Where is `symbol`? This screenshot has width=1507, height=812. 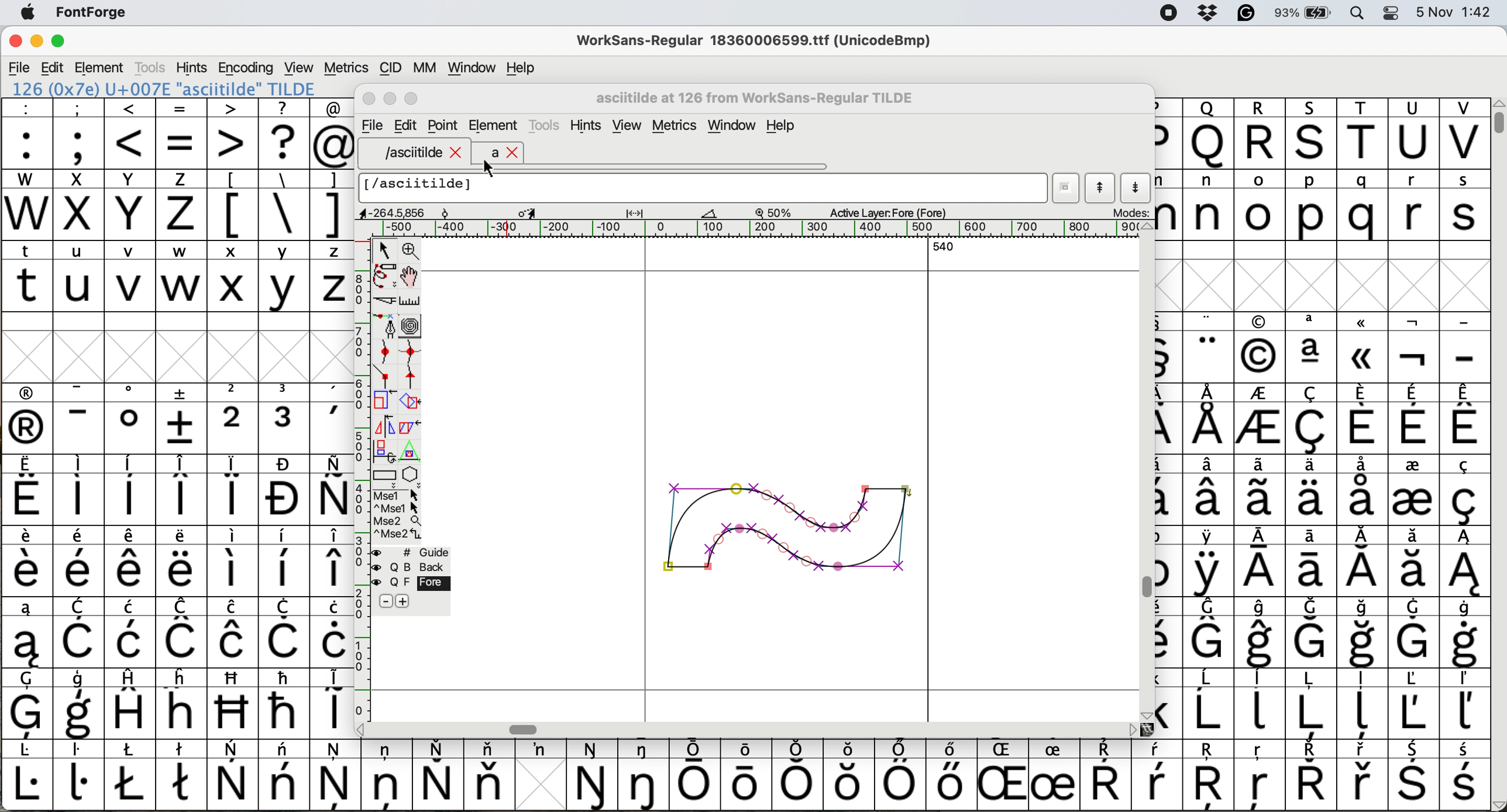
symbol is located at coordinates (183, 632).